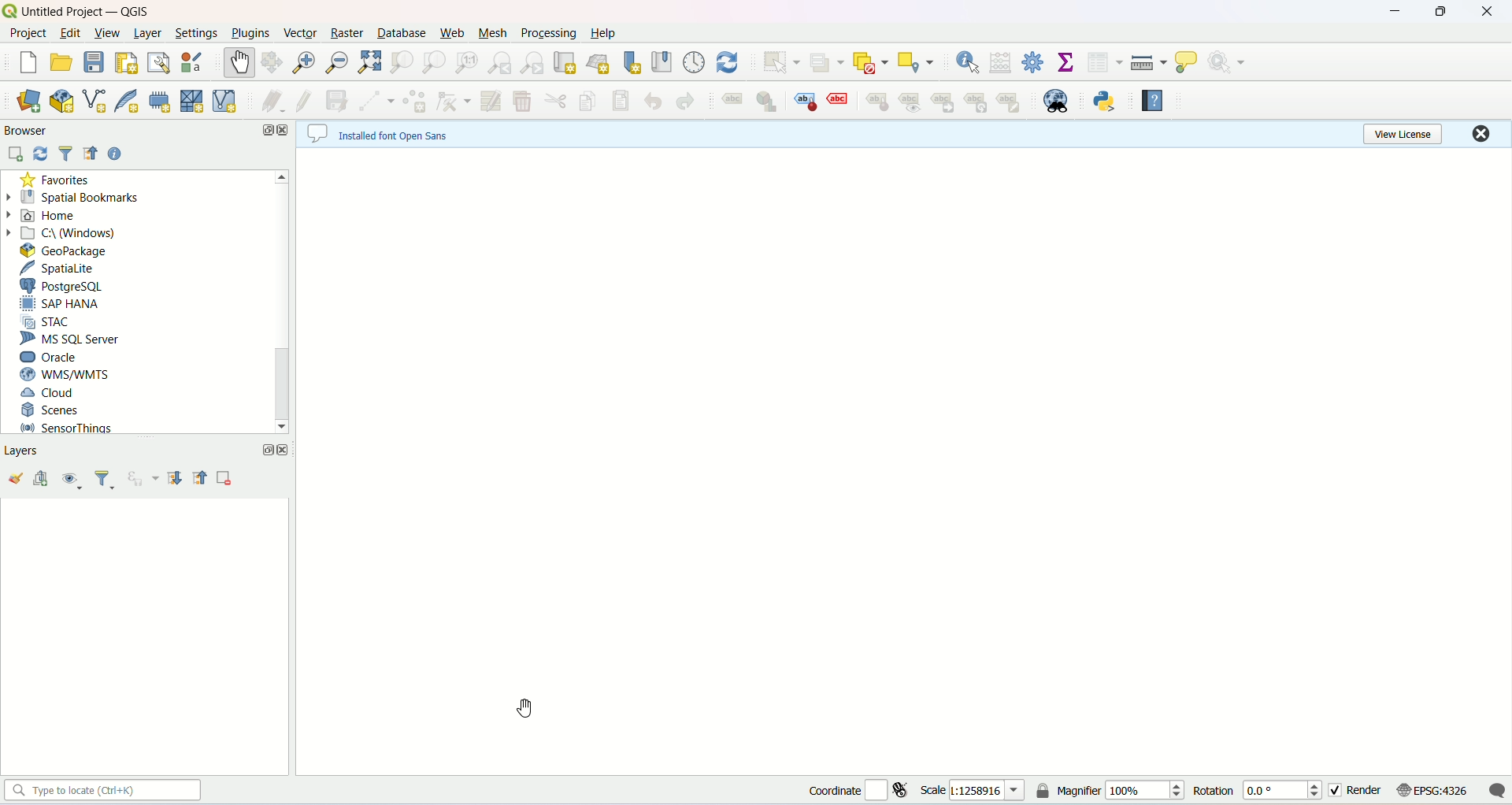 This screenshot has height=805, width=1512. I want to click on zoom to native, so click(434, 62).